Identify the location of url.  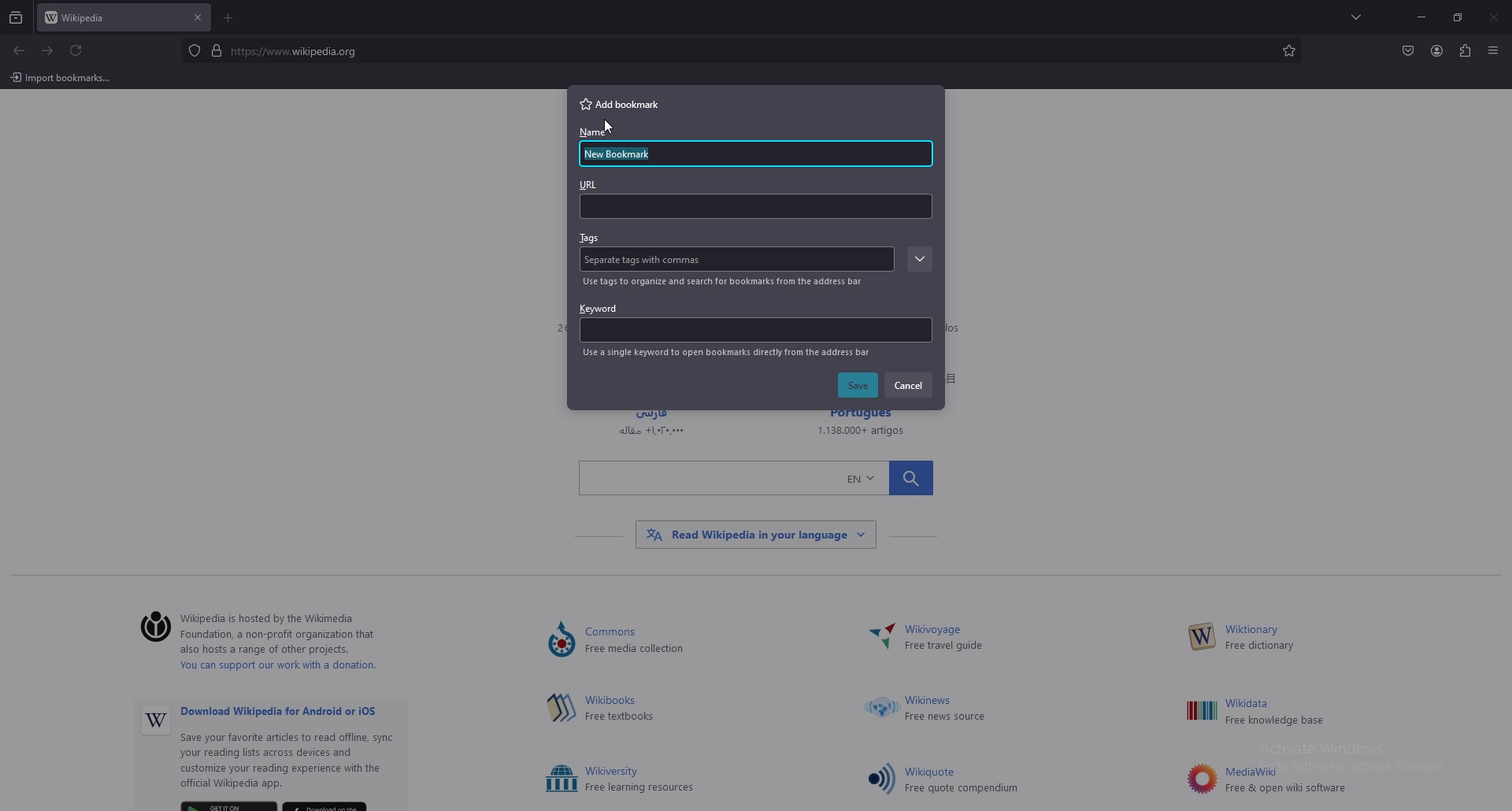
(755, 198).